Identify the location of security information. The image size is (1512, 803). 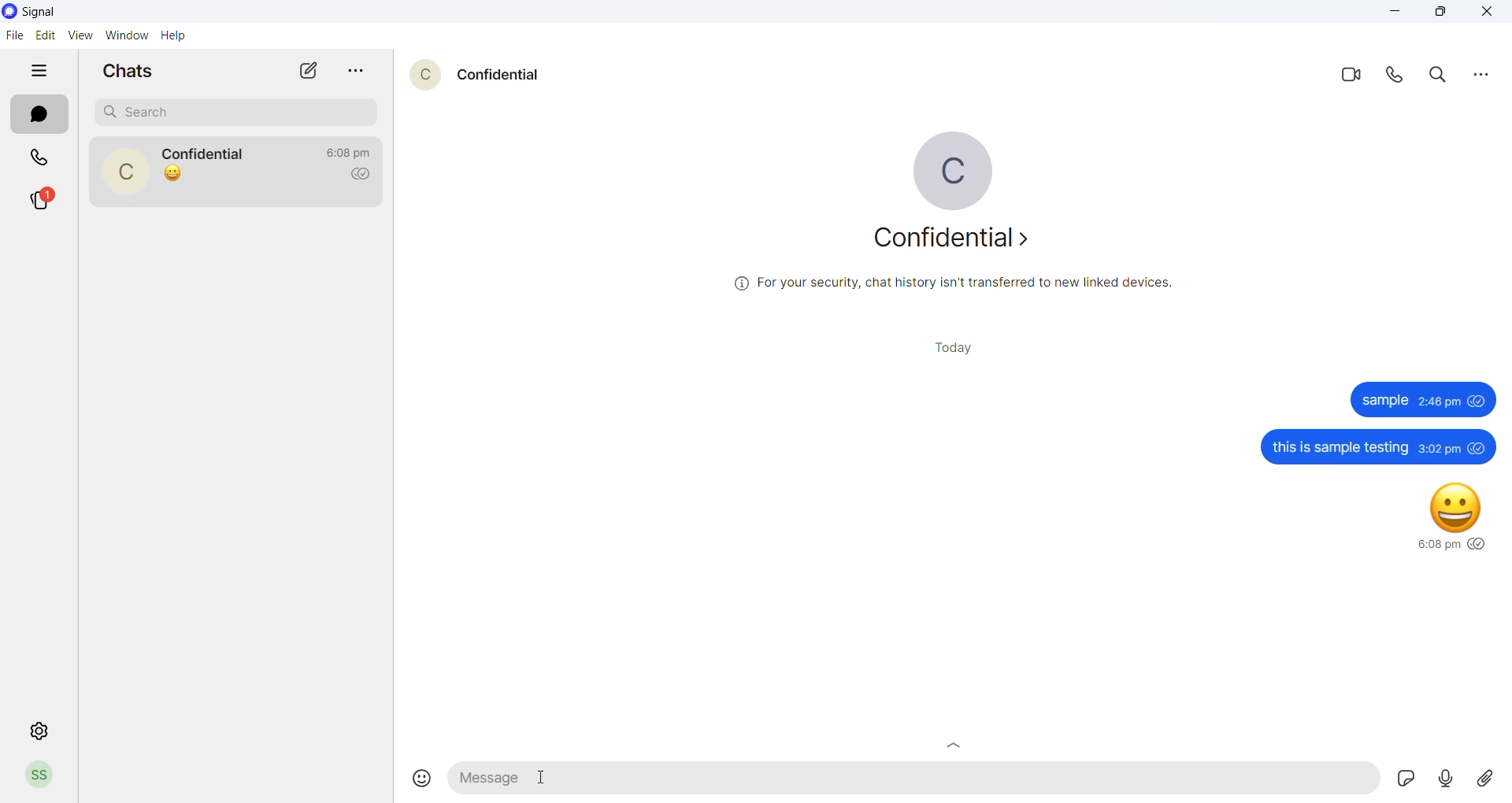
(953, 288).